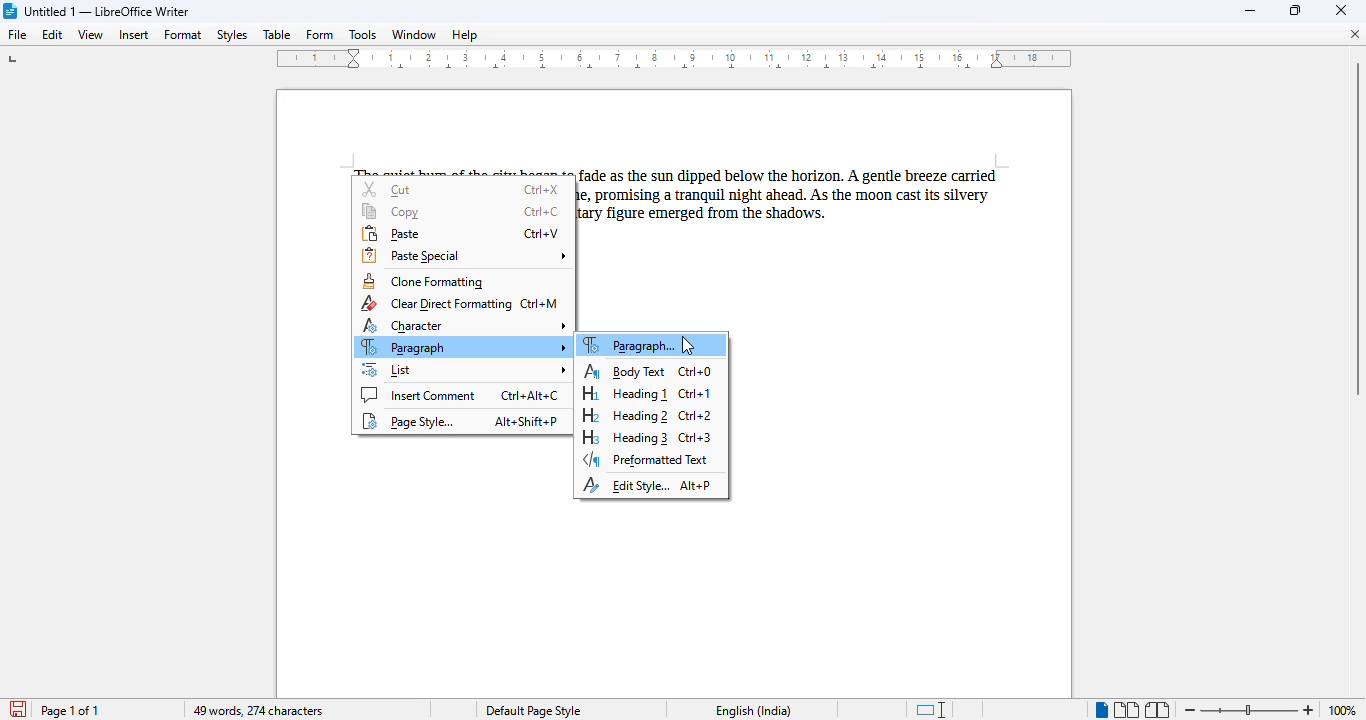 This screenshot has height=720, width=1366. What do you see at coordinates (10, 11) in the screenshot?
I see `logo` at bounding box center [10, 11].